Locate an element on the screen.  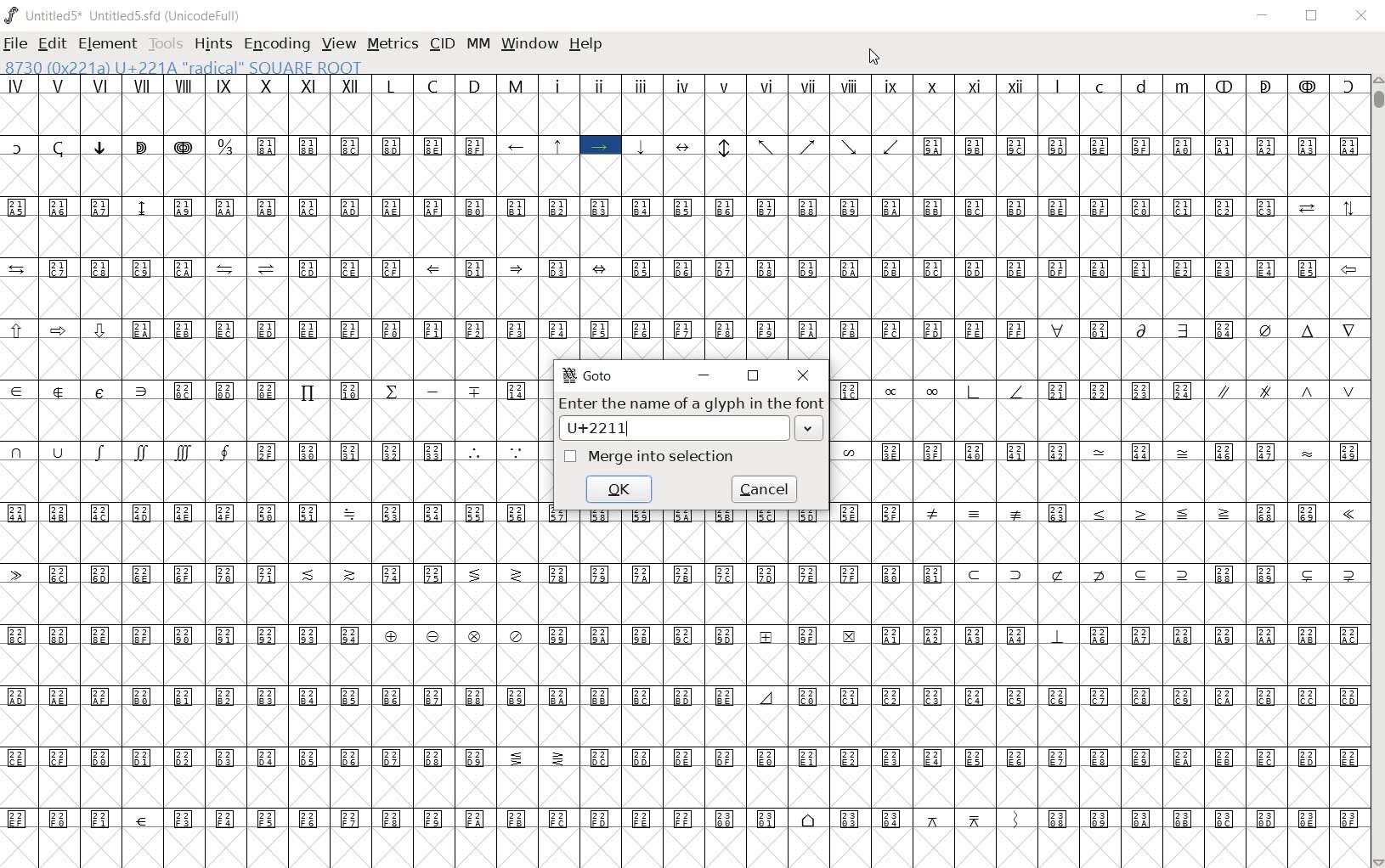
cancel is located at coordinates (763, 489).